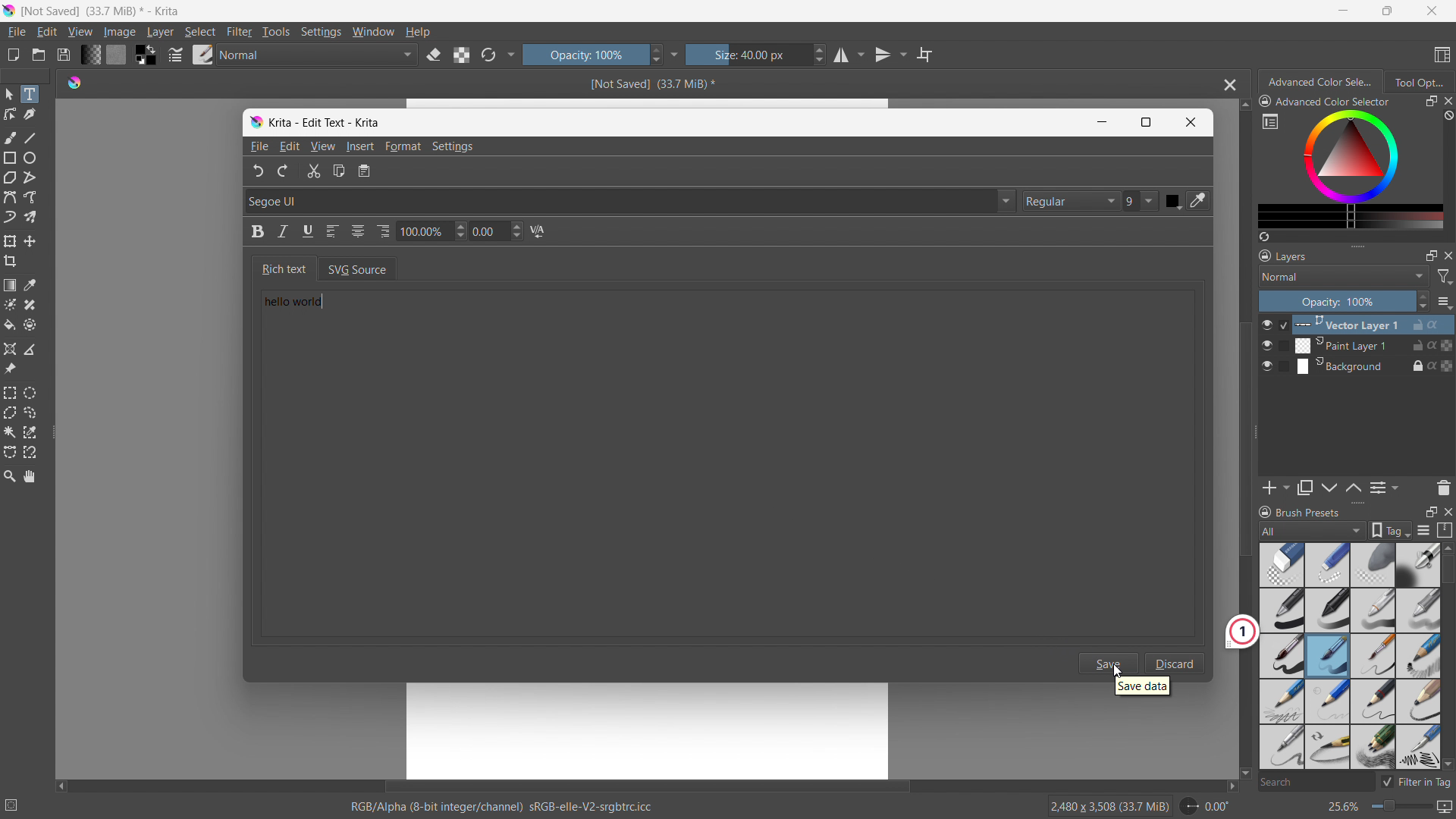 Image resolution: width=1456 pixels, height=819 pixels. I want to click on preserve alpha, so click(461, 55).